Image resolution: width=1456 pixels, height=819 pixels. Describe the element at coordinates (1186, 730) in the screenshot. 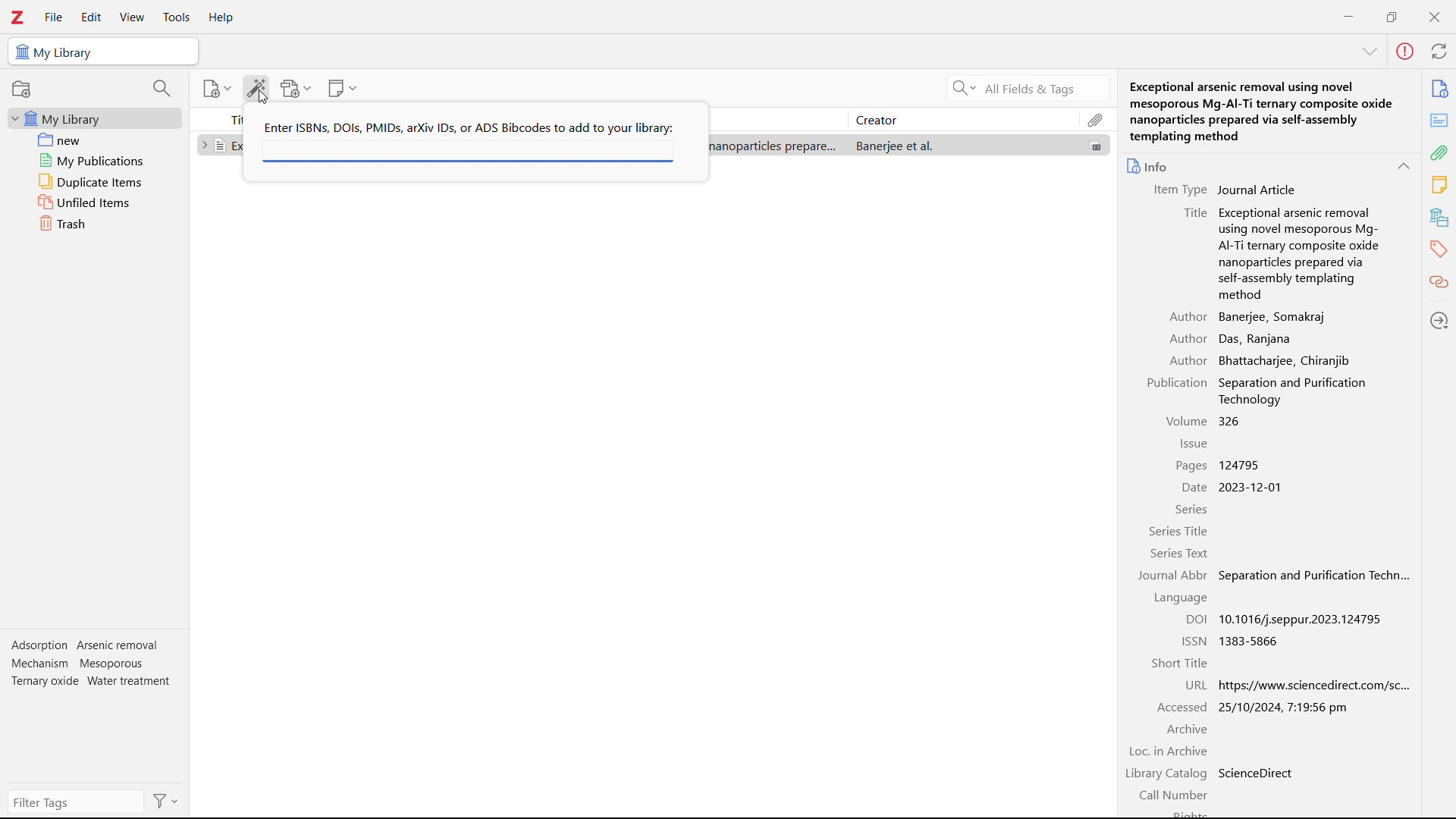

I see `Archive` at that location.